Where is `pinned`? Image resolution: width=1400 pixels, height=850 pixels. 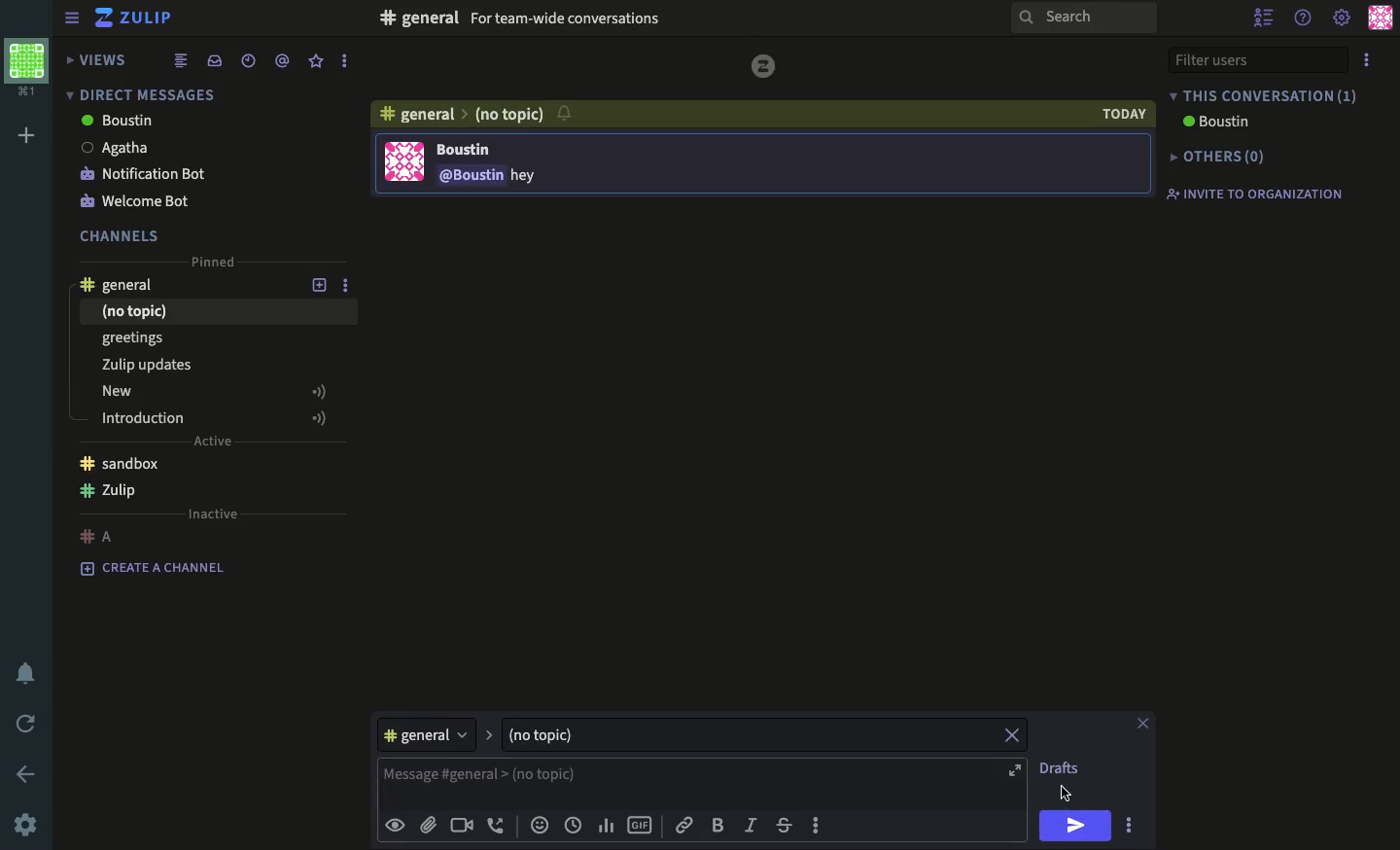
pinned is located at coordinates (209, 261).